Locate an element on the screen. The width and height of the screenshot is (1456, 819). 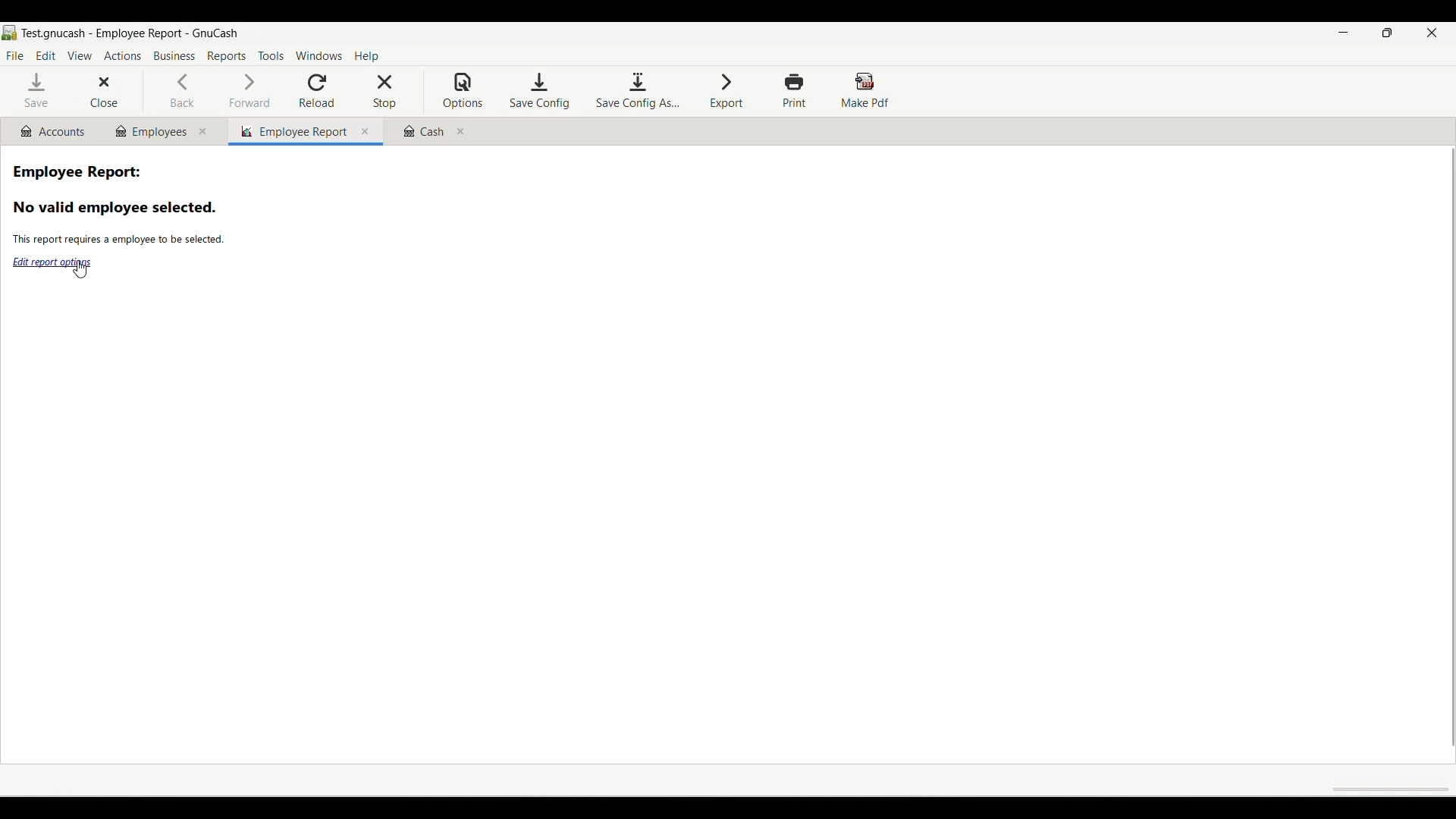
Save configuration as is located at coordinates (637, 91).